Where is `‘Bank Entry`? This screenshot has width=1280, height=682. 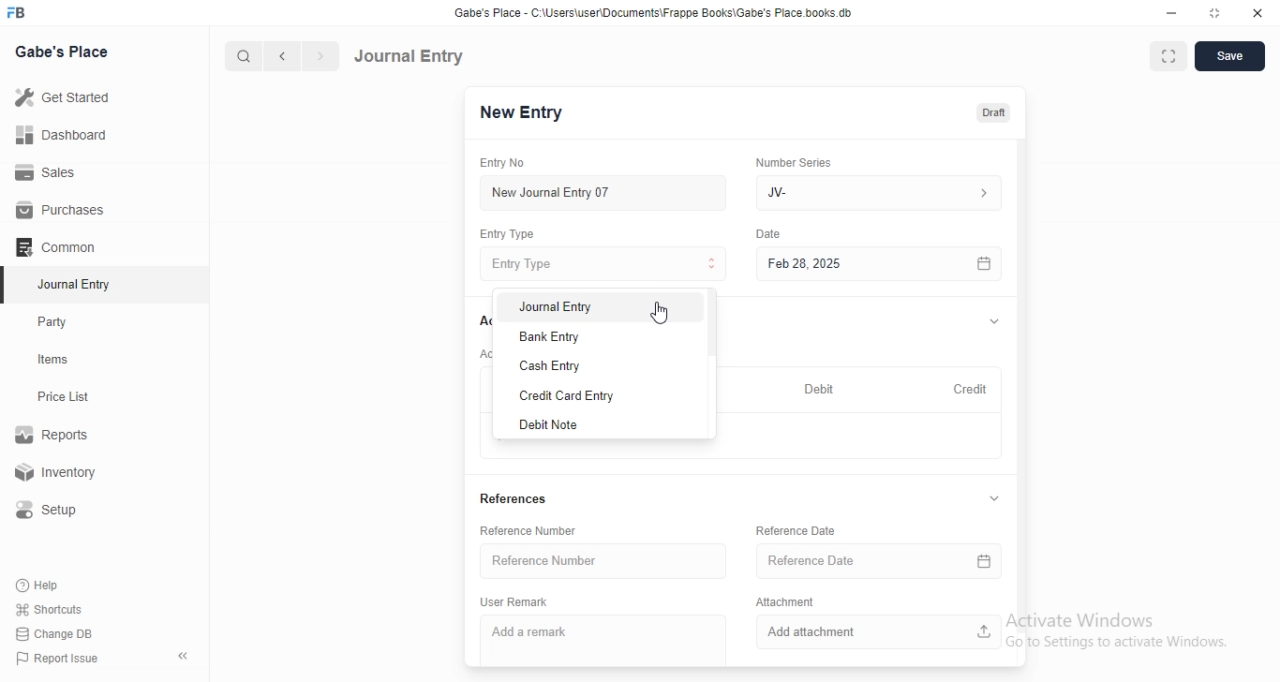
‘Bank Entry is located at coordinates (550, 336).